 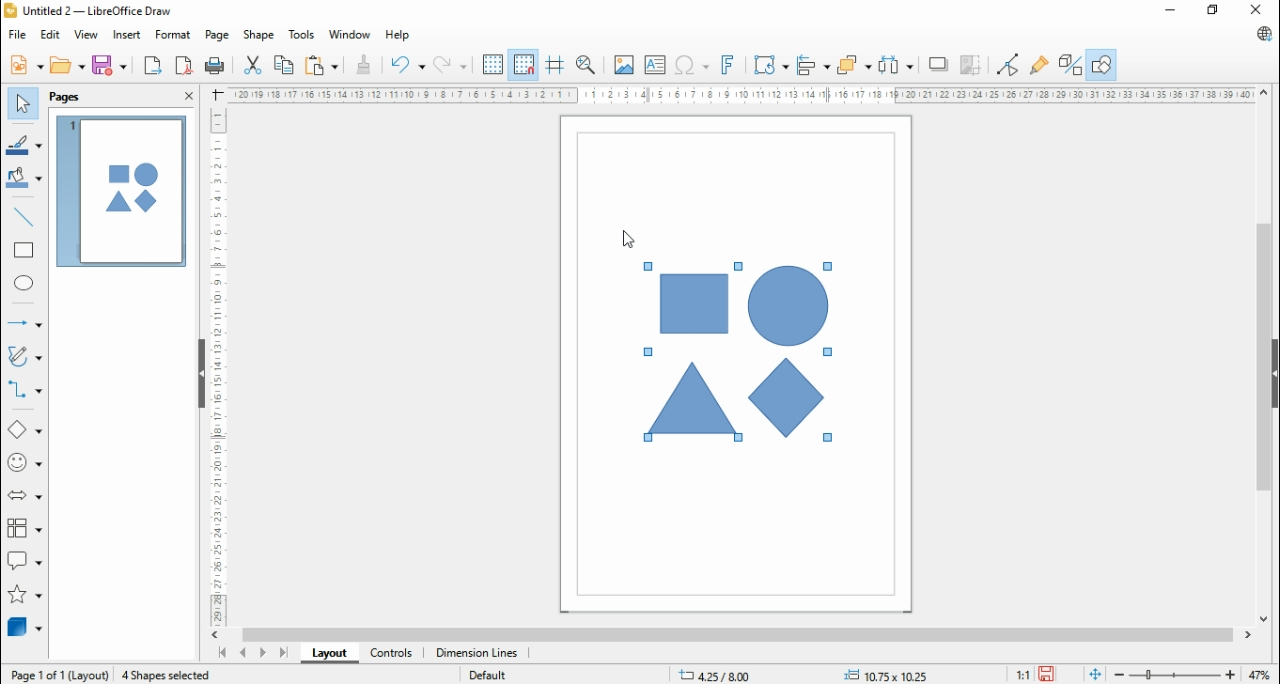 I want to click on clone formattings, so click(x=363, y=65).